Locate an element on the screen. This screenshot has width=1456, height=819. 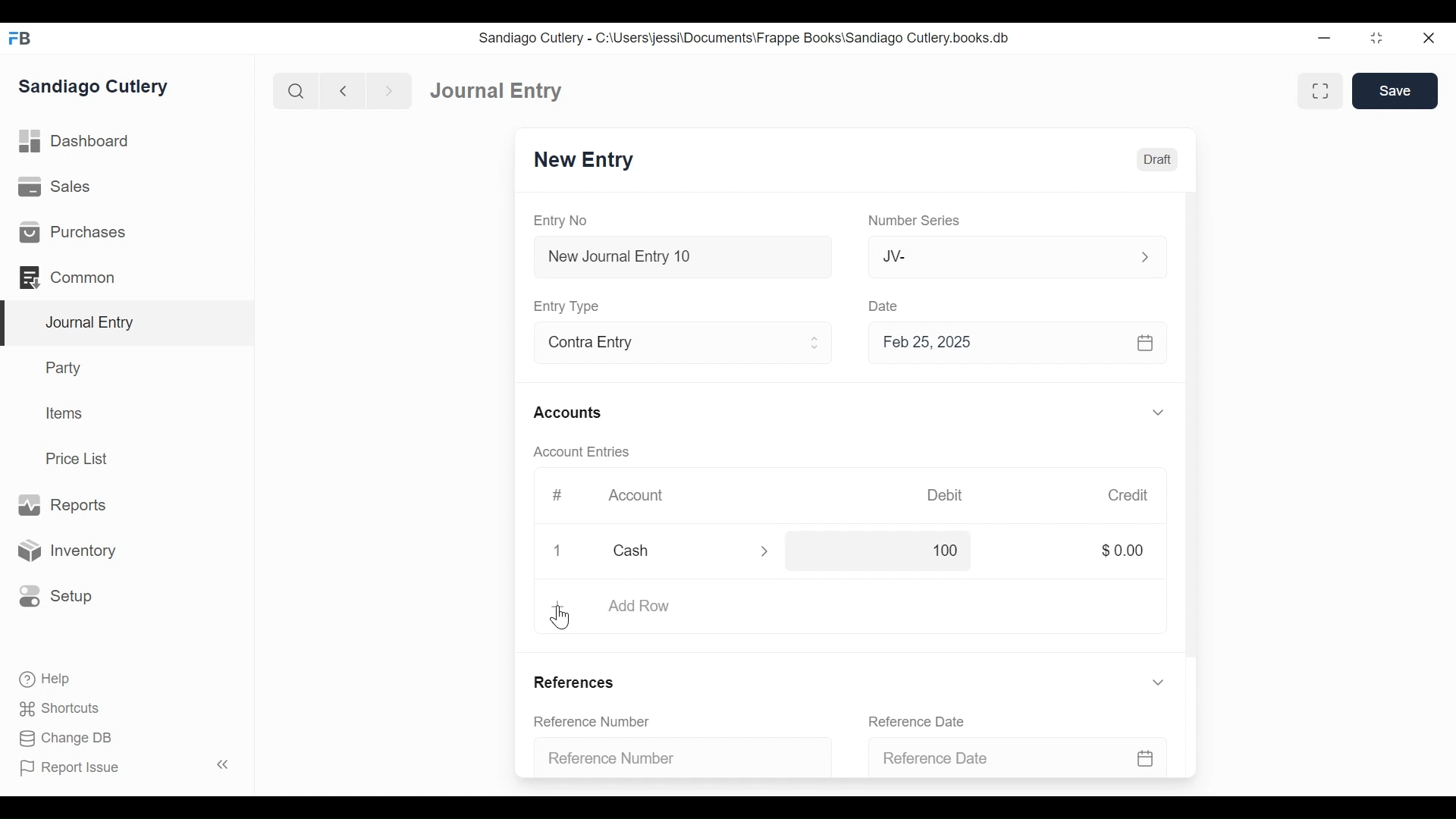
$0.00 is located at coordinates (1127, 551).